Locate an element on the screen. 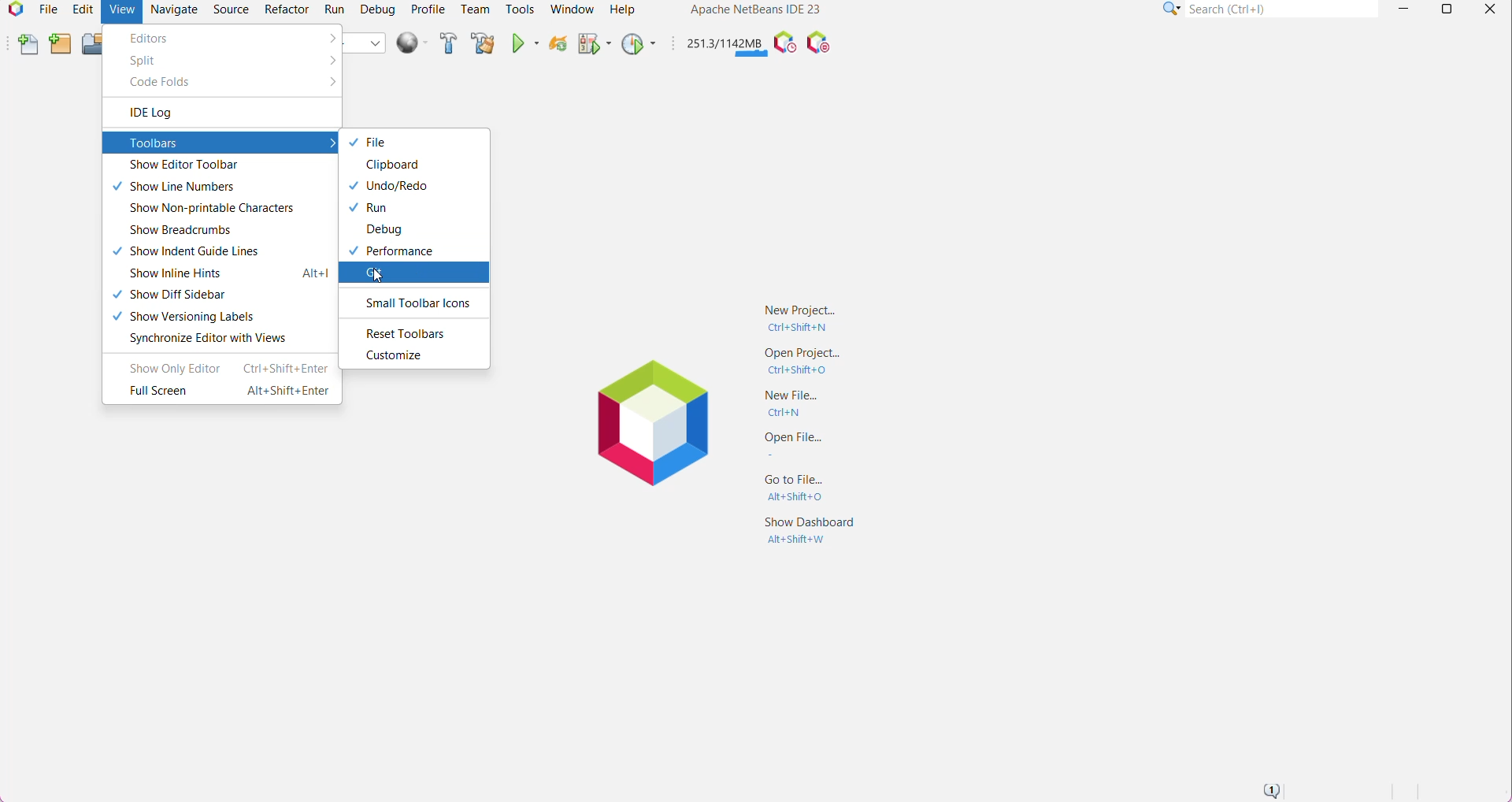 The height and width of the screenshot is (802, 1512). Run All Projects is located at coordinates (411, 43).